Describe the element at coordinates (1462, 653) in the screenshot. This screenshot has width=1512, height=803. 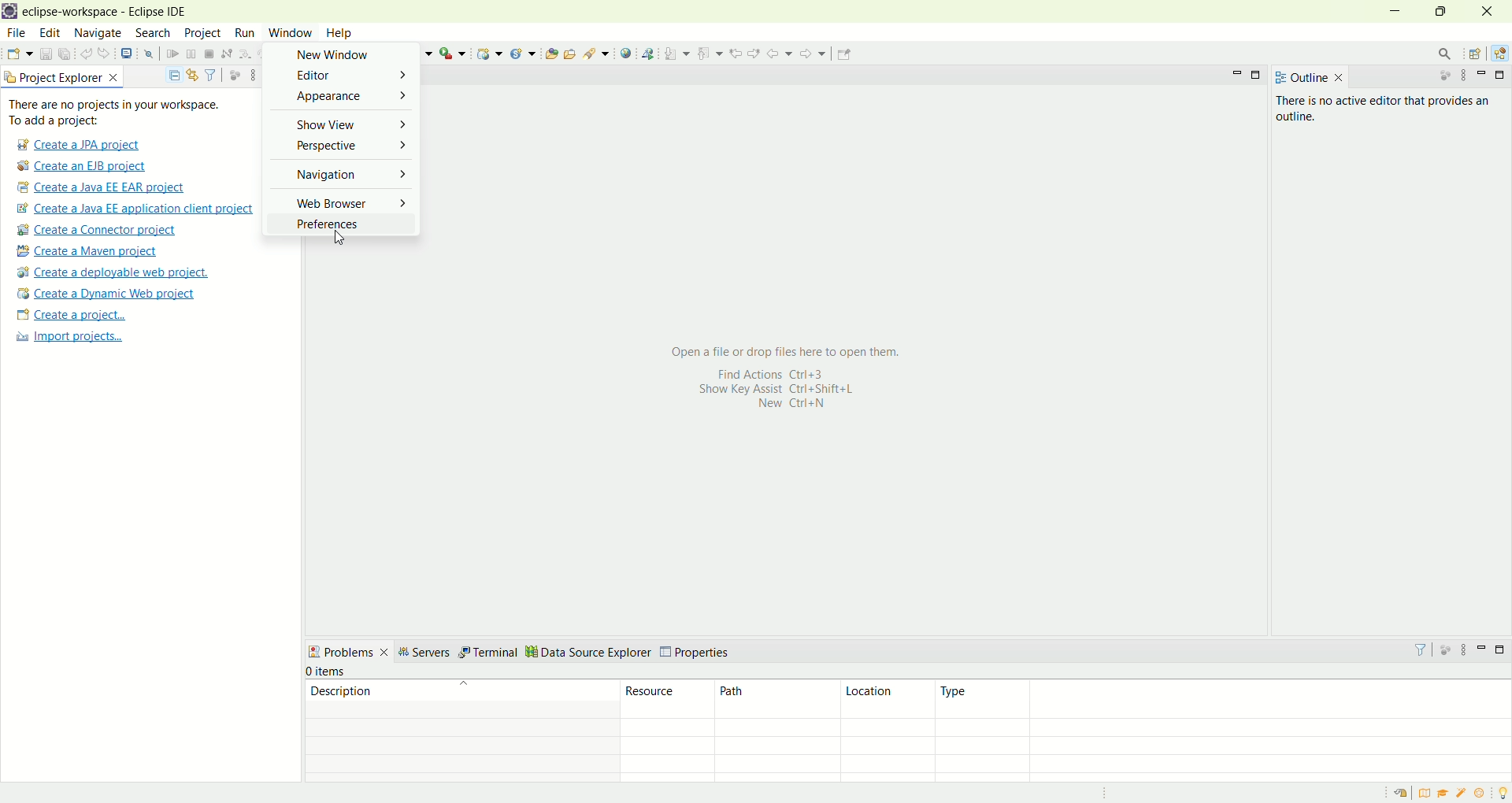
I see `view menu` at that location.